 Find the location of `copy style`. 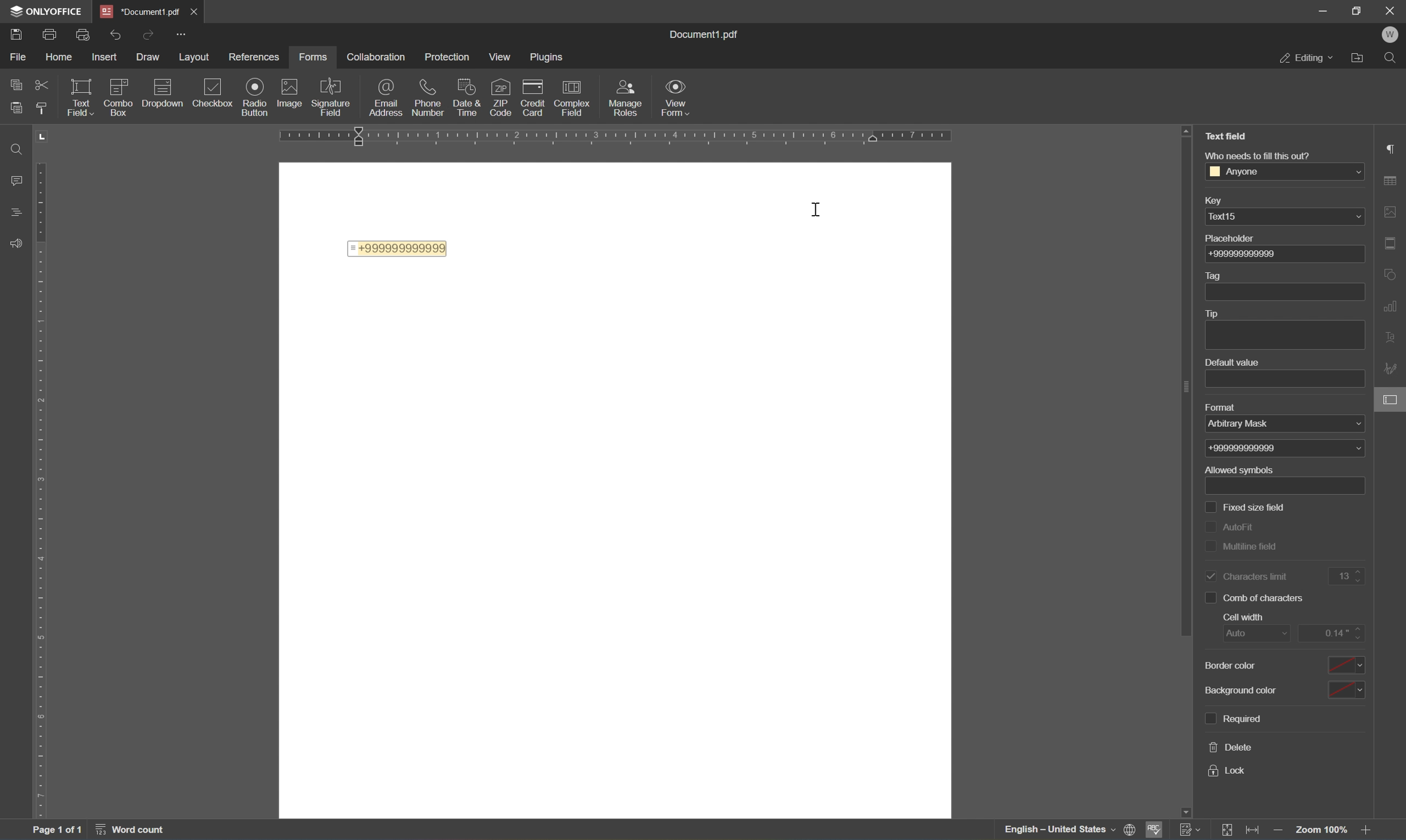

copy style is located at coordinates (43, 106).